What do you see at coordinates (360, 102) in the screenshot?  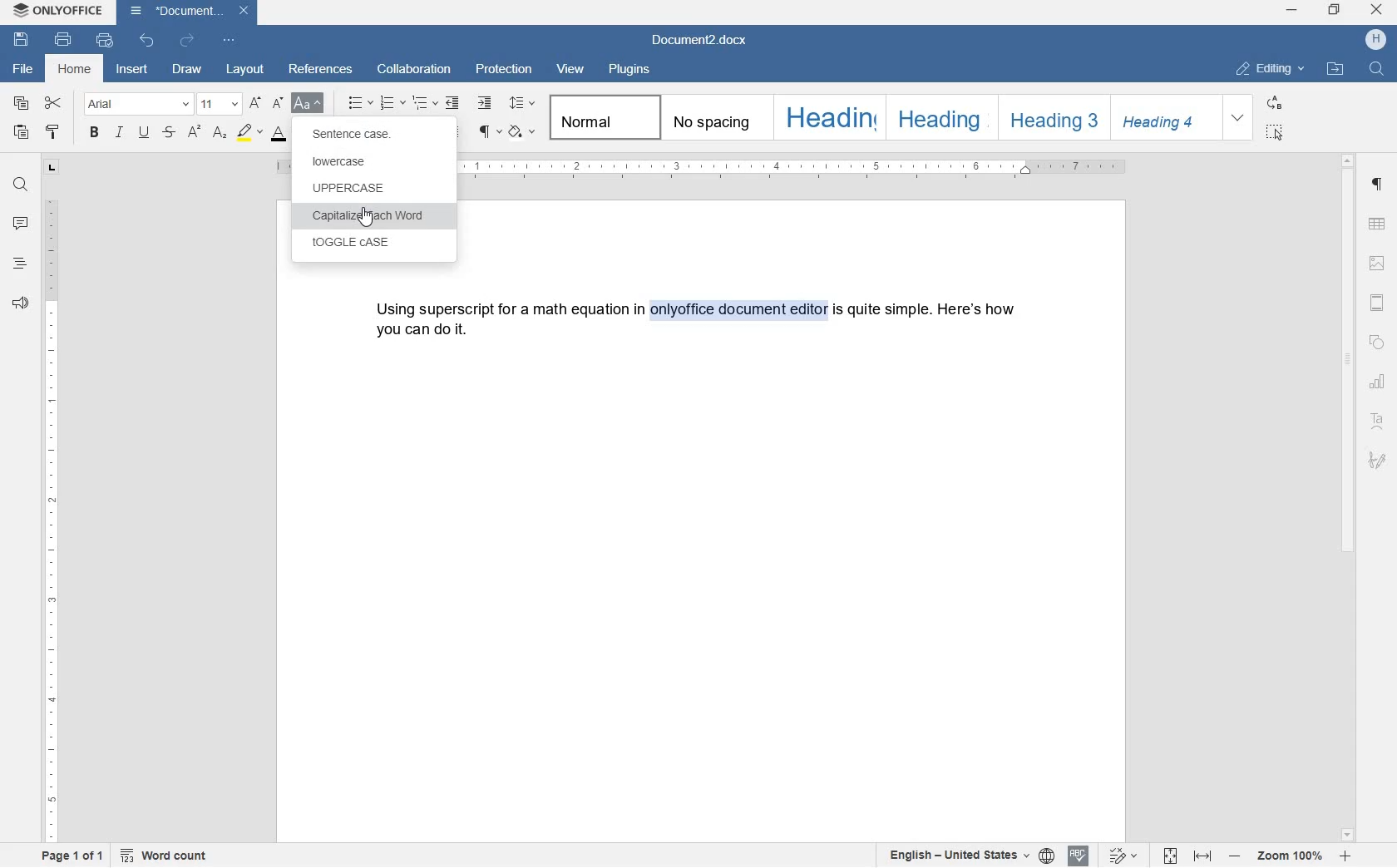 I see `bullets` at bounding box center [360, 102].